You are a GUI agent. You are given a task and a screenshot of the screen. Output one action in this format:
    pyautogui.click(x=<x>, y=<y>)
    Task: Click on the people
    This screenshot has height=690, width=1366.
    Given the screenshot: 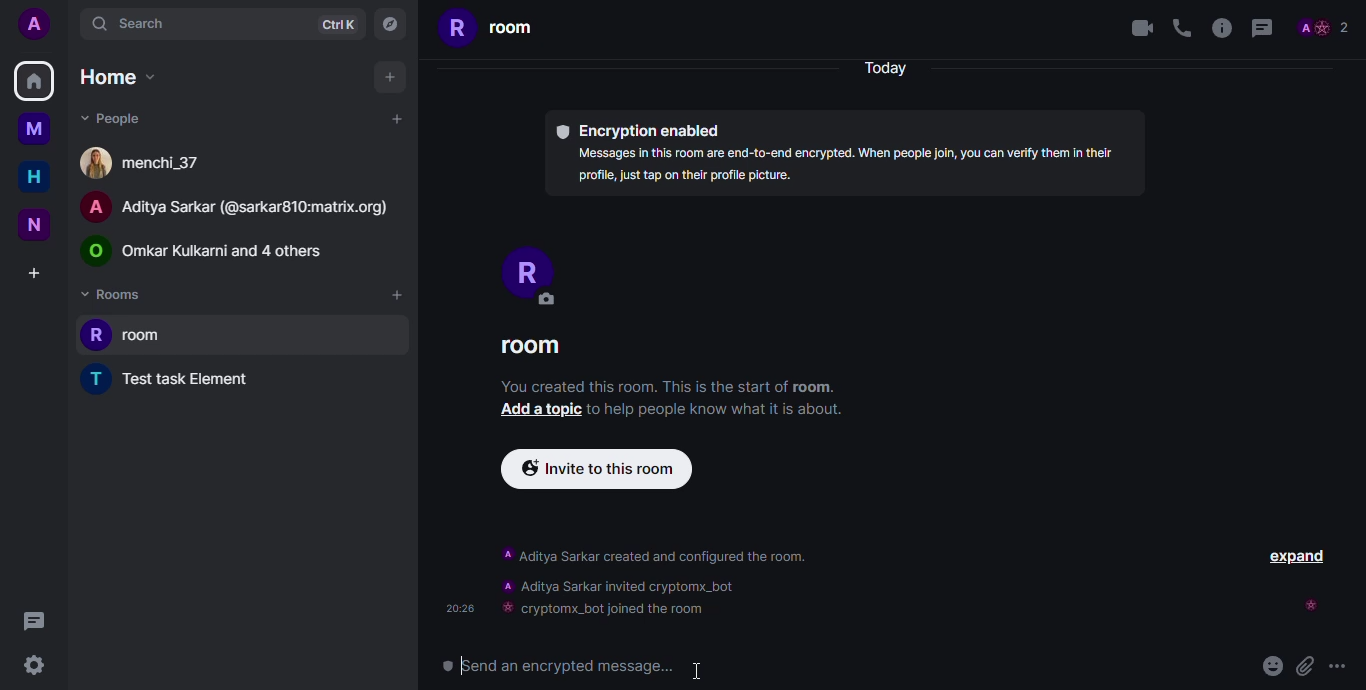 What is the action you would take?
    pyautogui.click(x=122, y=118)
    